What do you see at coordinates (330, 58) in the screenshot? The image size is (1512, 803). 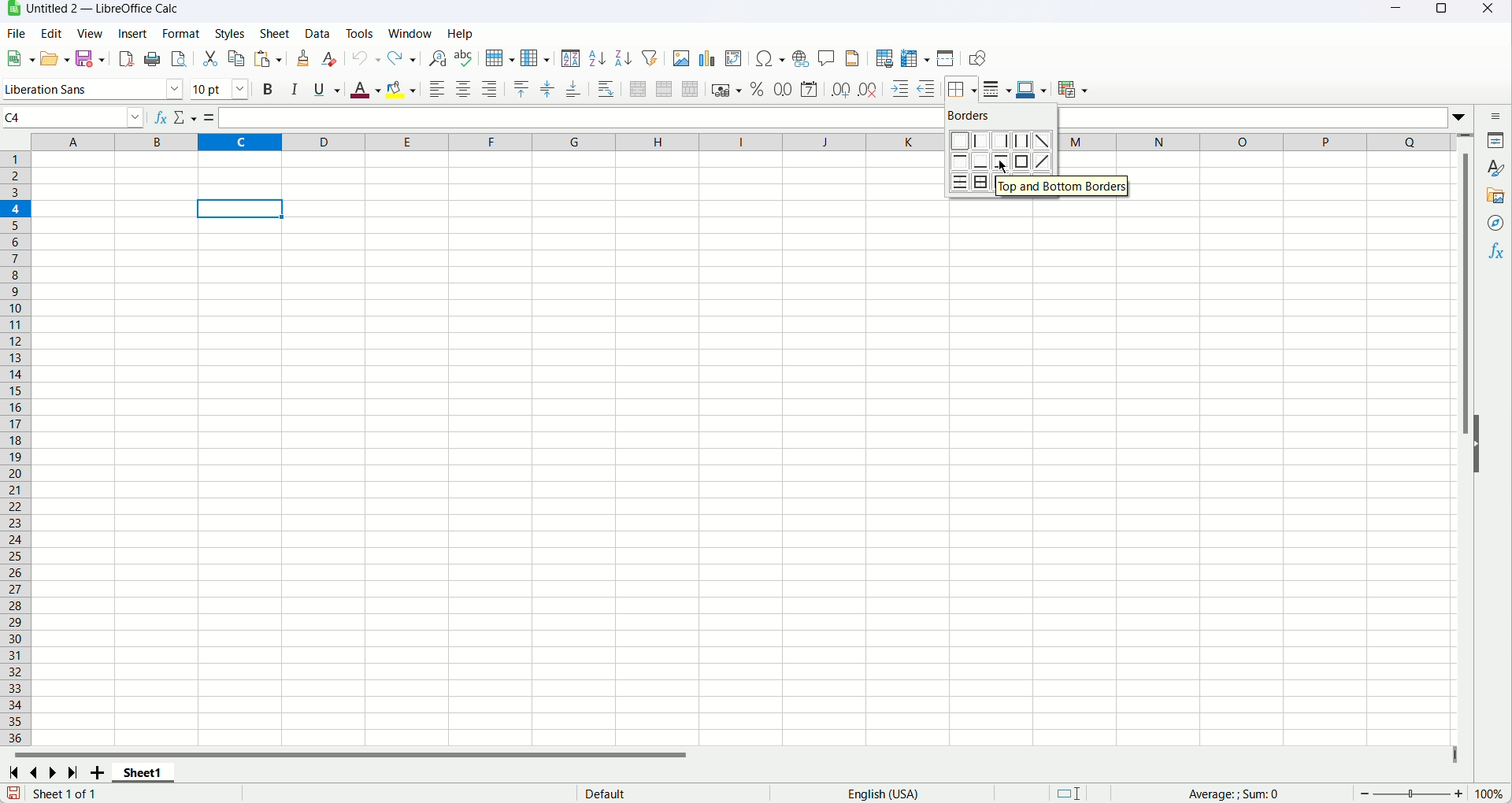 I see `Clear formatting` at bounding box center [330, 58].